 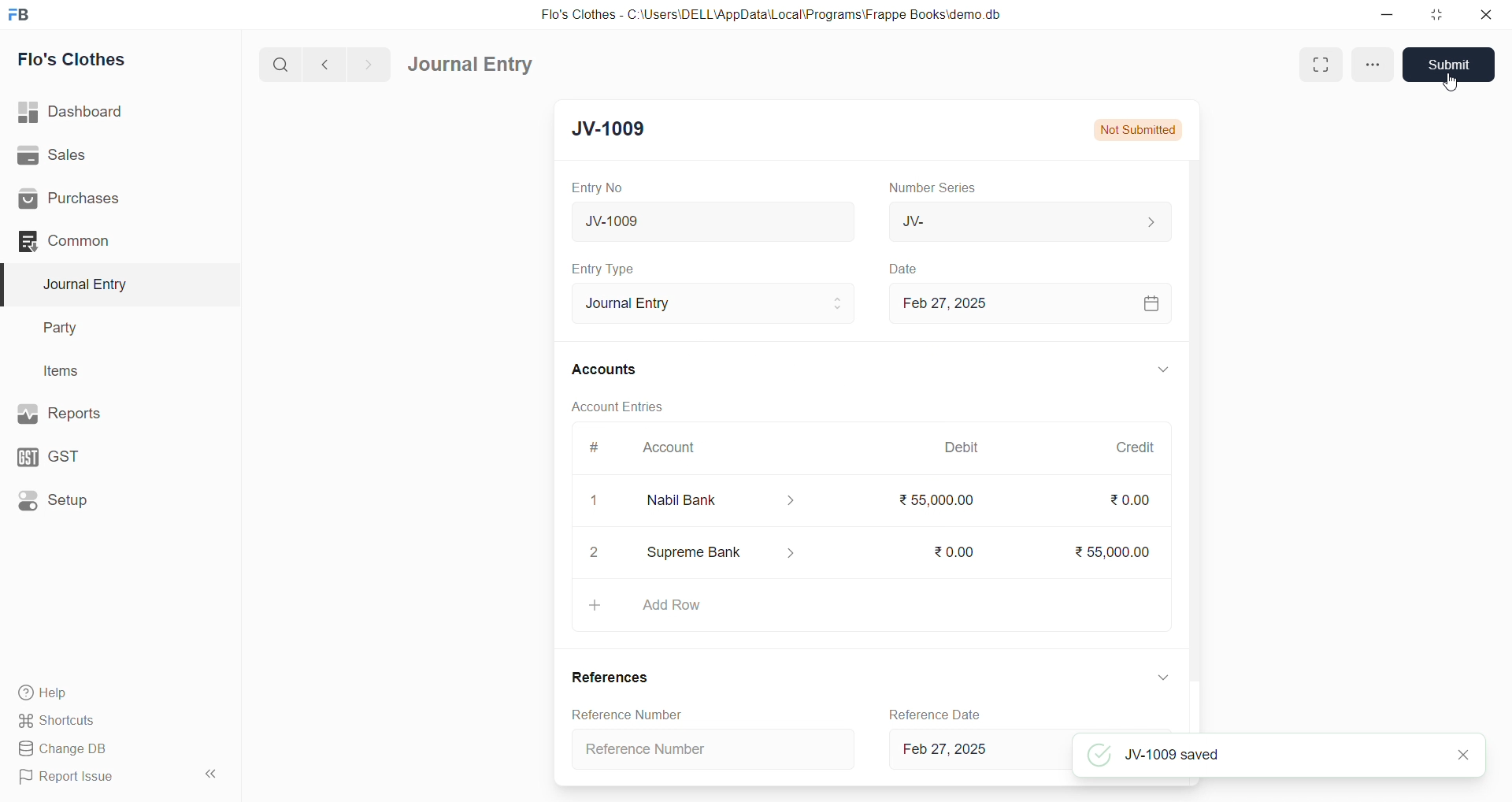 I want to click on Shortcuts, so click(x=95, y=722).